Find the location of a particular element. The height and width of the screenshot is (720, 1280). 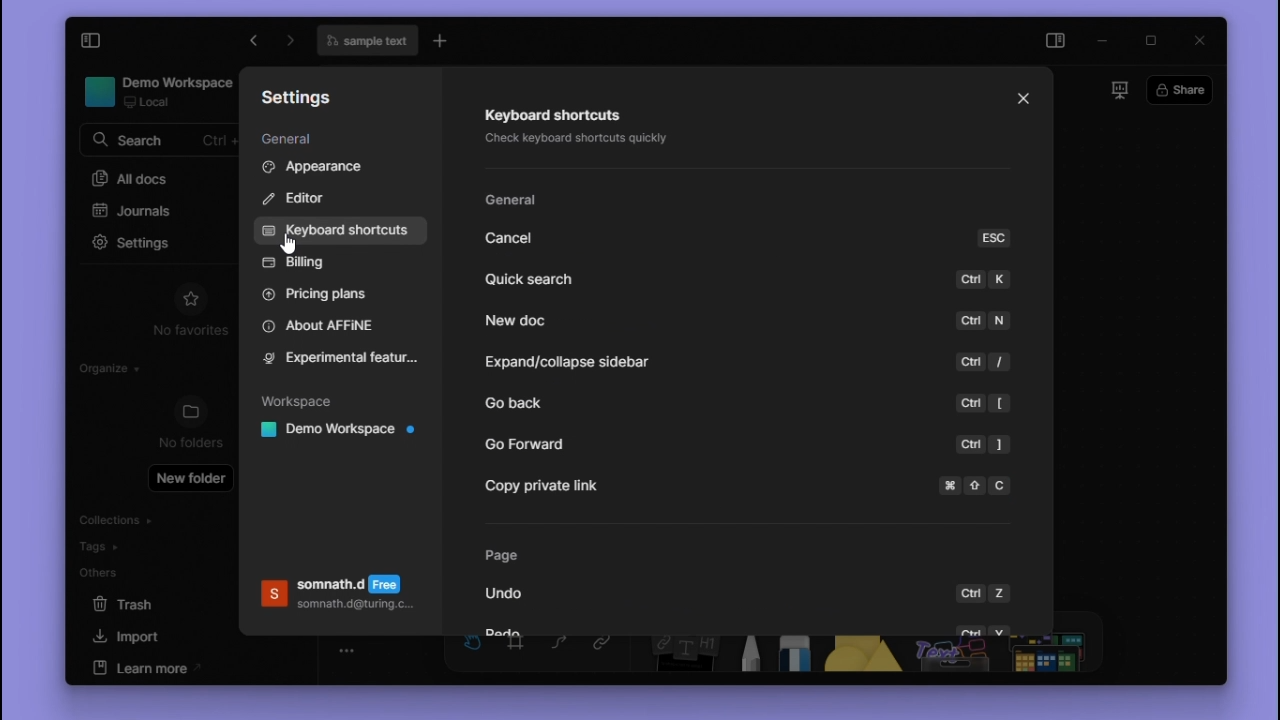

ESC is located at coordinates (994, 238).